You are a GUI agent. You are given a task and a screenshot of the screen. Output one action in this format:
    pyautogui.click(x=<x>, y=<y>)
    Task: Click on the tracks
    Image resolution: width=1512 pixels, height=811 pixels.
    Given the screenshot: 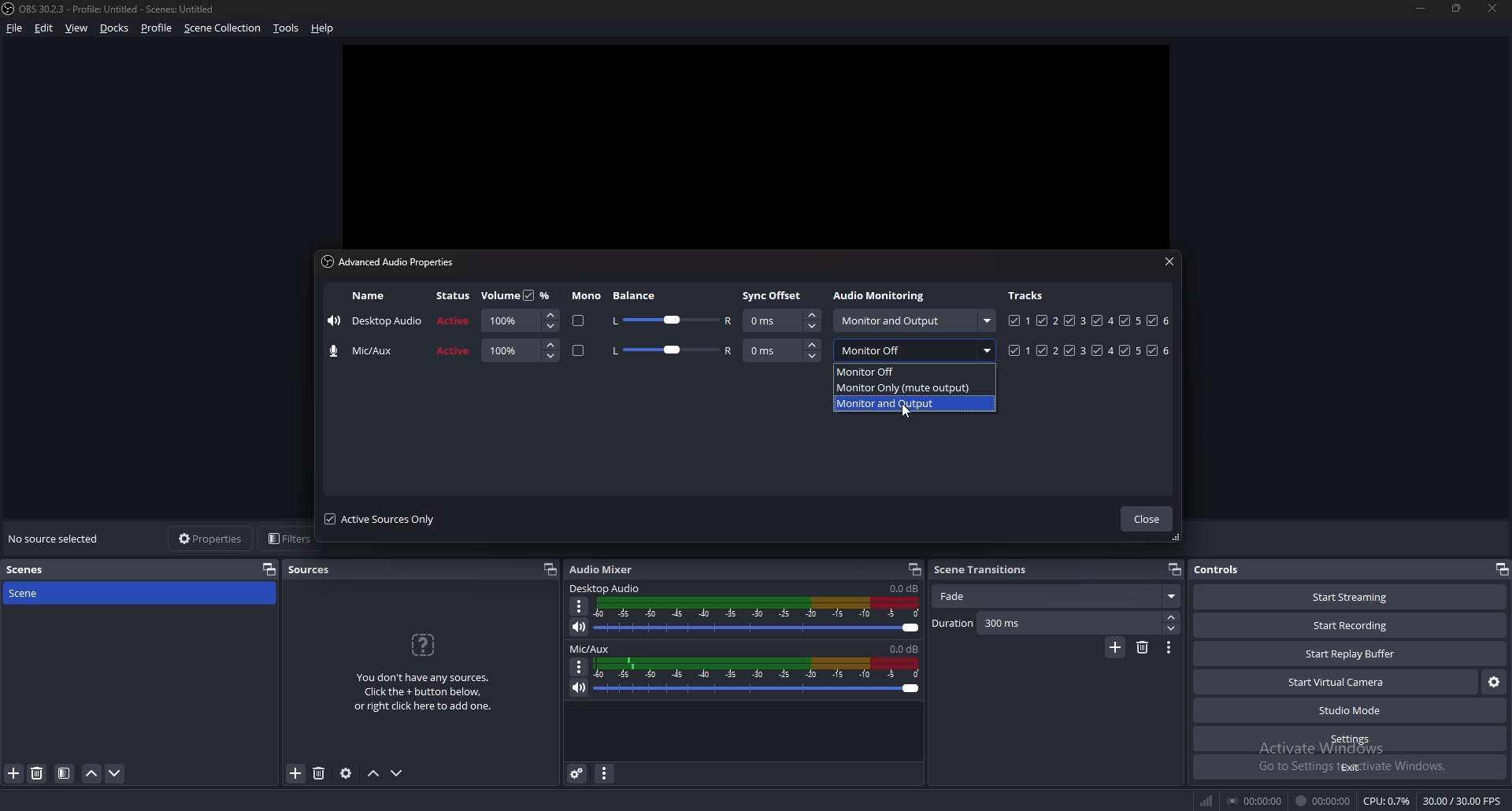 What is the action you would take?
    pyautogui.click(x=1028, y=295)
    